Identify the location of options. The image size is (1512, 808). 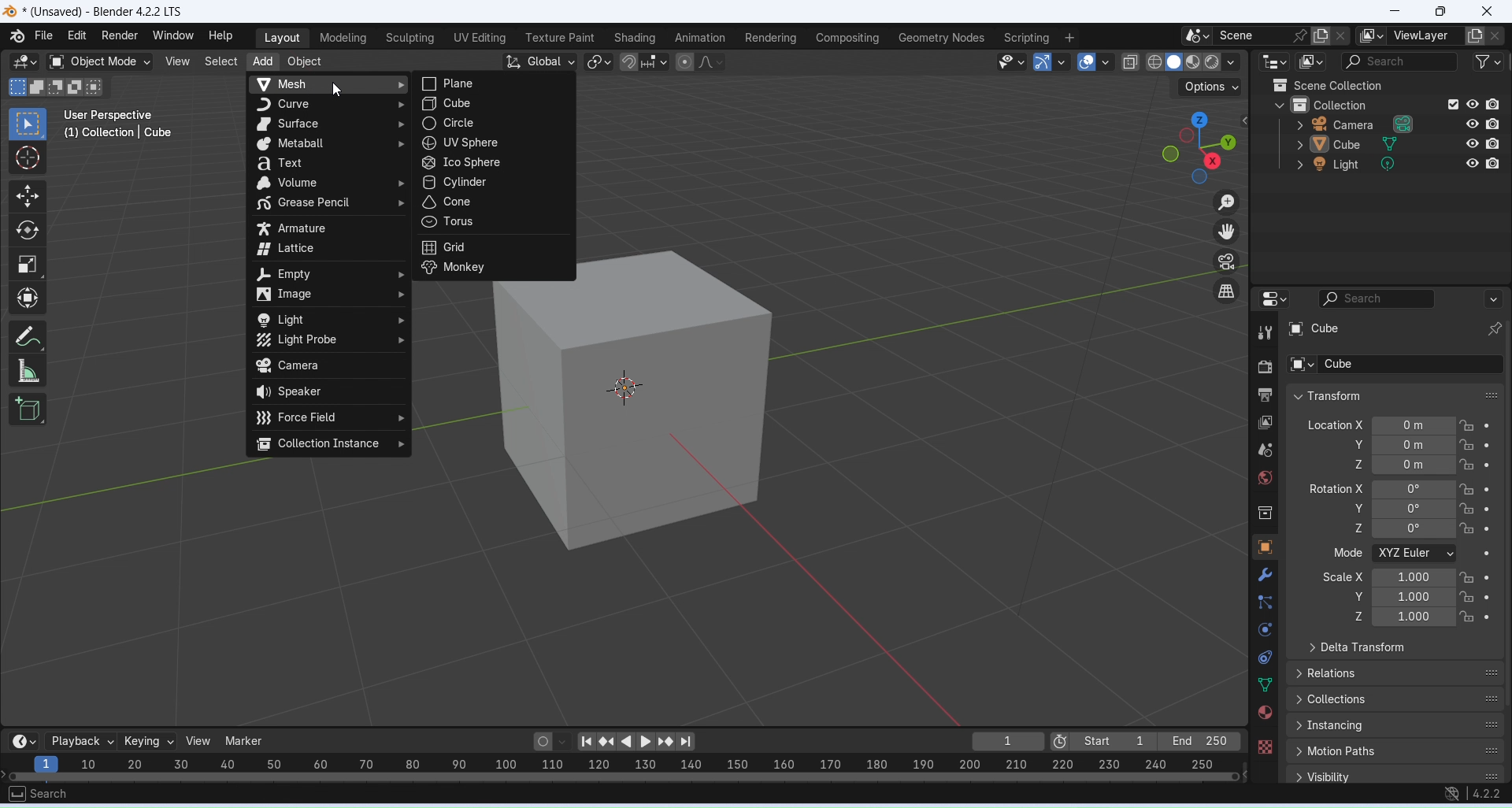
(1197, 36).